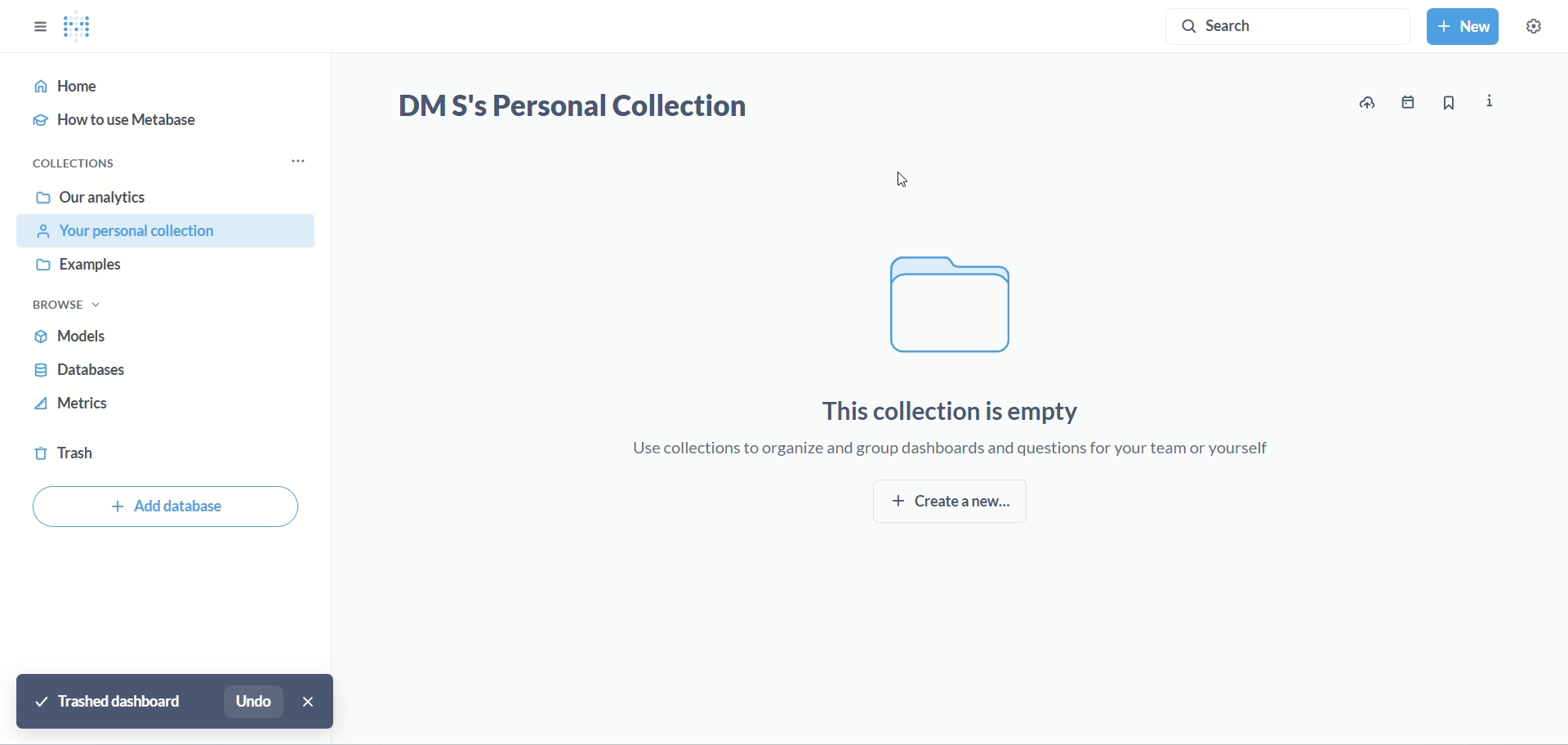 This screenshot has height=745, width=1568. I want to click on your personal collection, so click(170, 231).